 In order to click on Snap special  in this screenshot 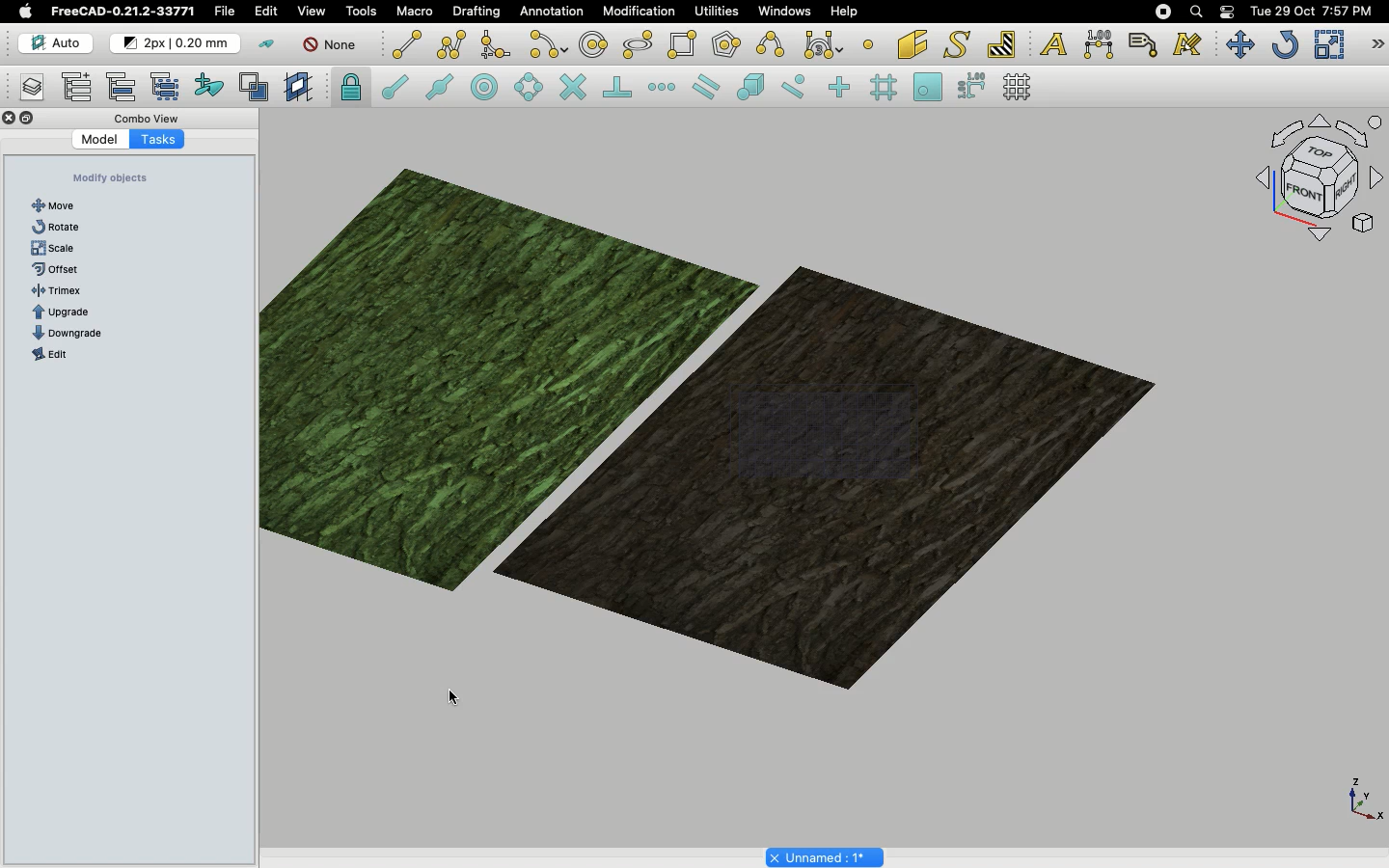, I will do `click(754, 89)`.